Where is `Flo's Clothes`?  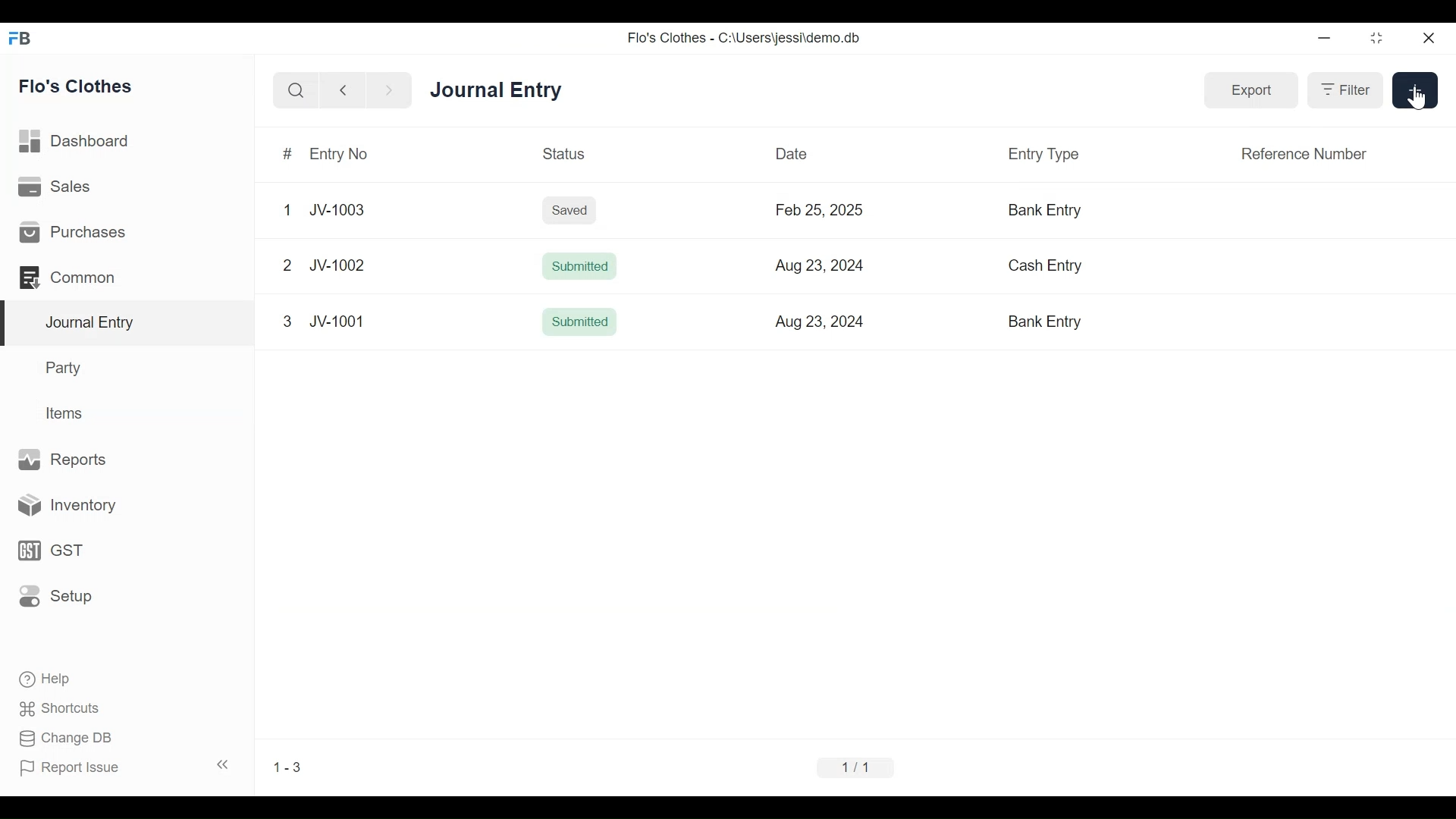
Flo's Clothes is located at coordinates (76, 86).